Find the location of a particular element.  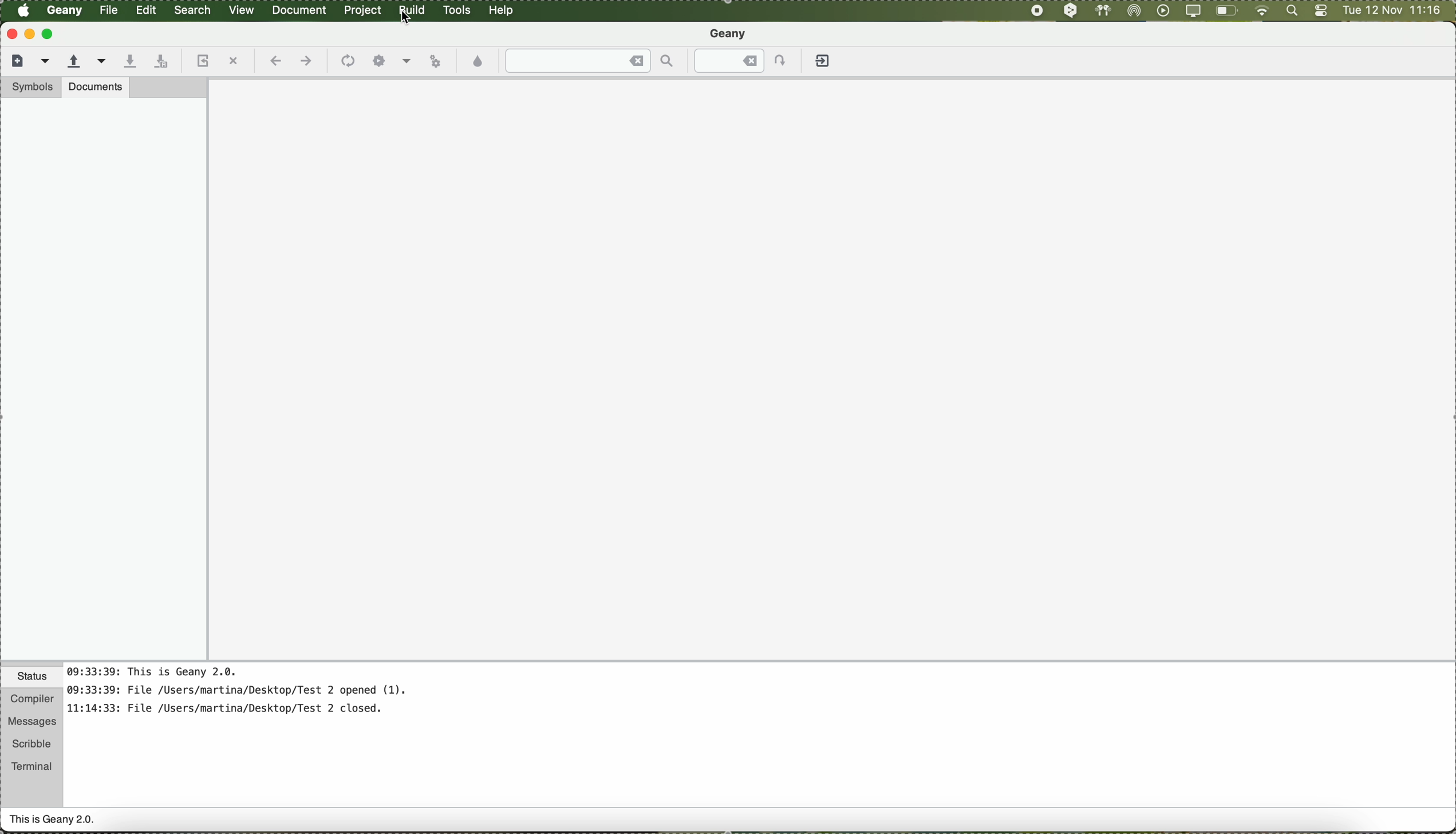

controls is located at coordinates (1321, 11).